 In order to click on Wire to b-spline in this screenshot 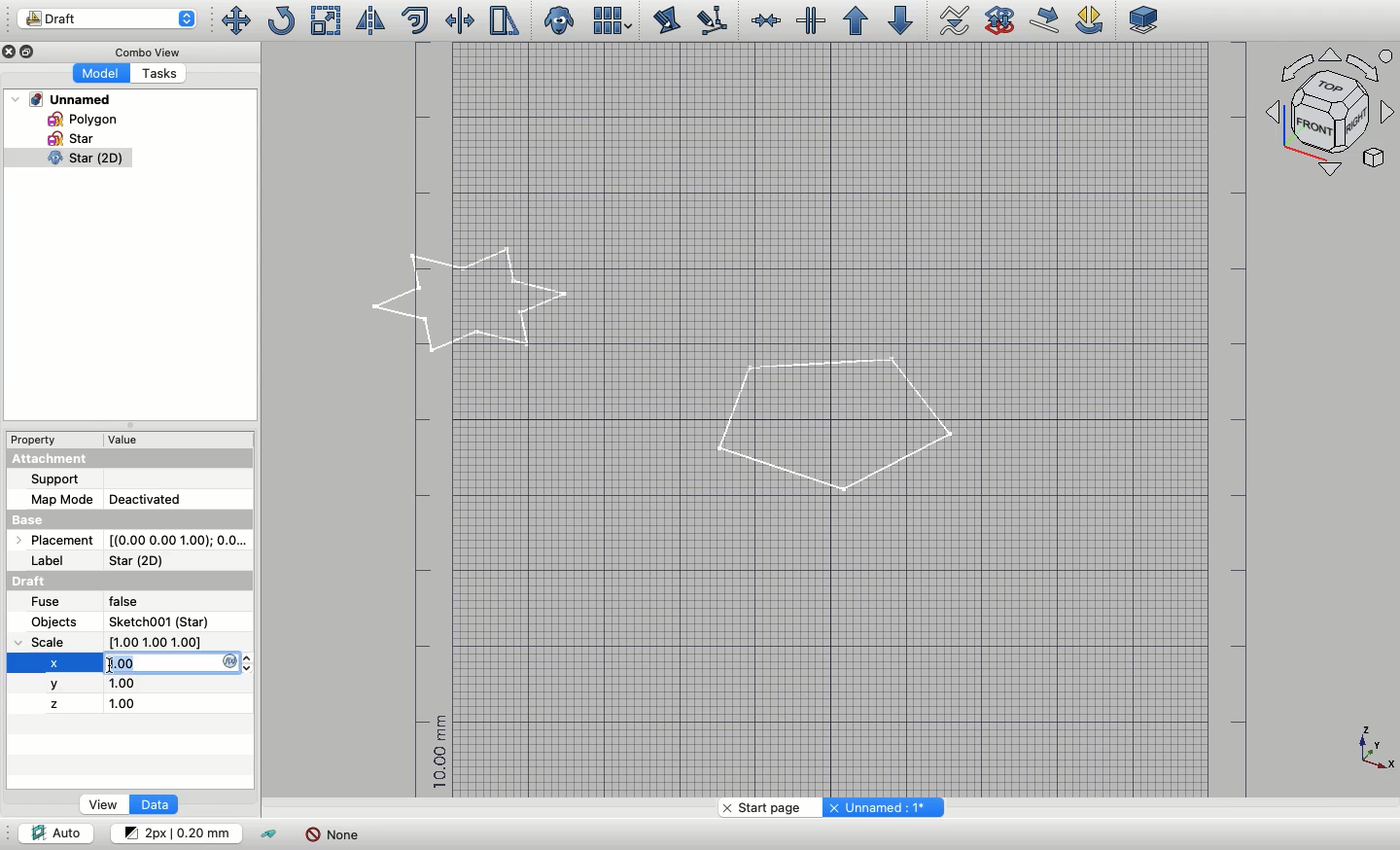, I will do `click(949, 21)`.